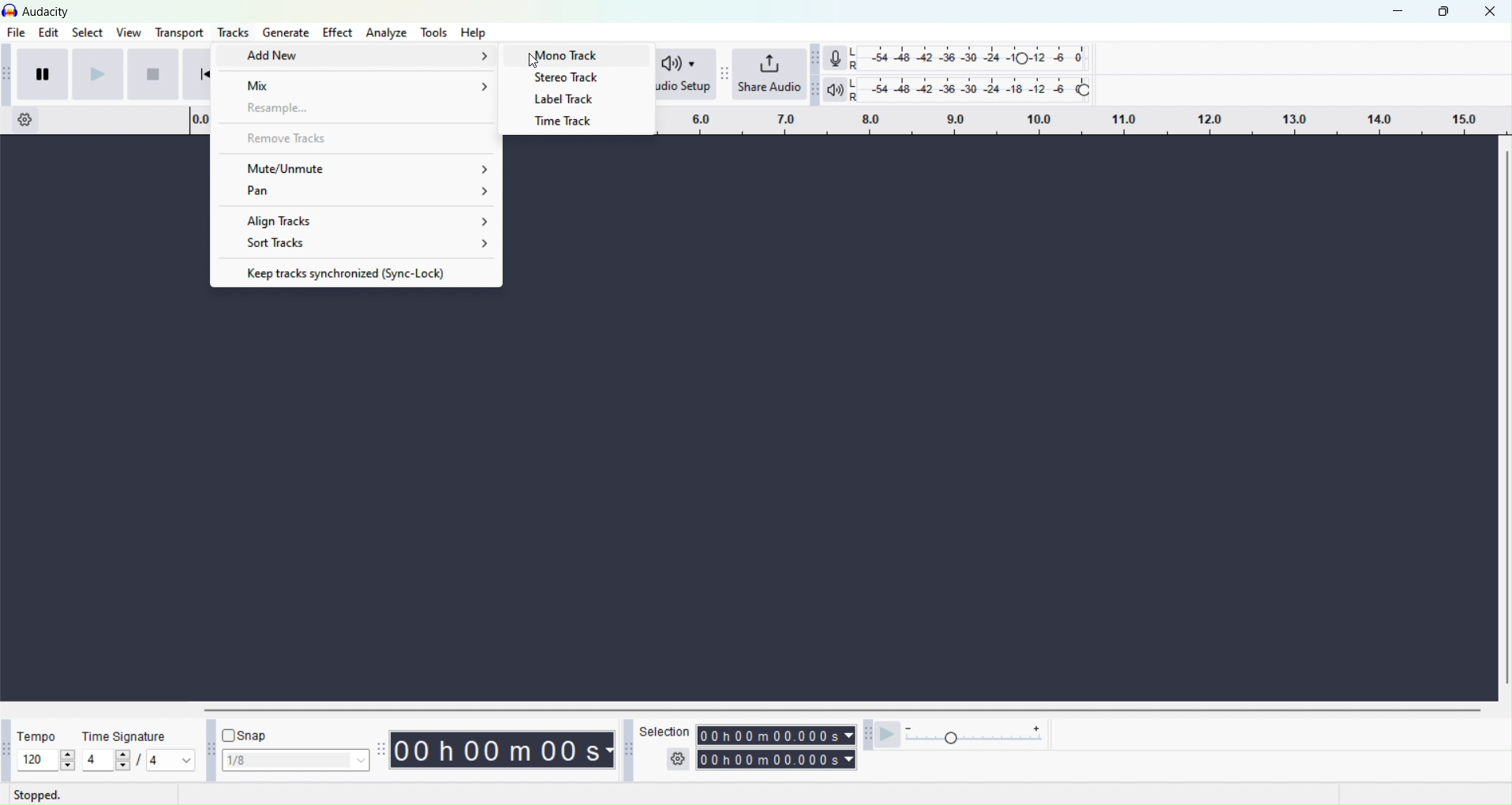  Describe the element at coordinates (38, 737) in the screenshot. I see `Tempo` at that location.